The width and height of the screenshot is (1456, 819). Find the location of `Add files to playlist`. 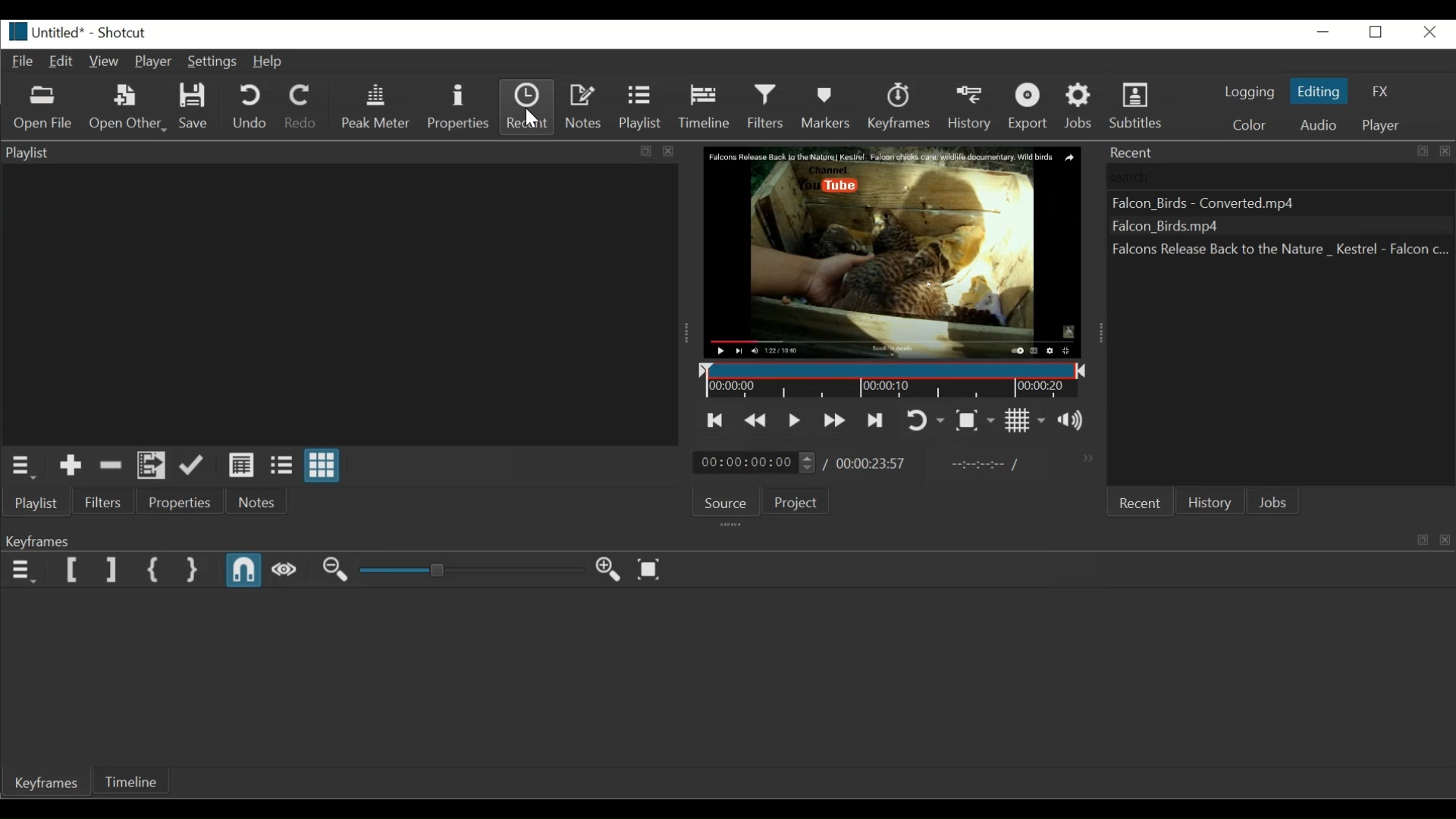

Add files to playlist is located at coordinates (151, 466).